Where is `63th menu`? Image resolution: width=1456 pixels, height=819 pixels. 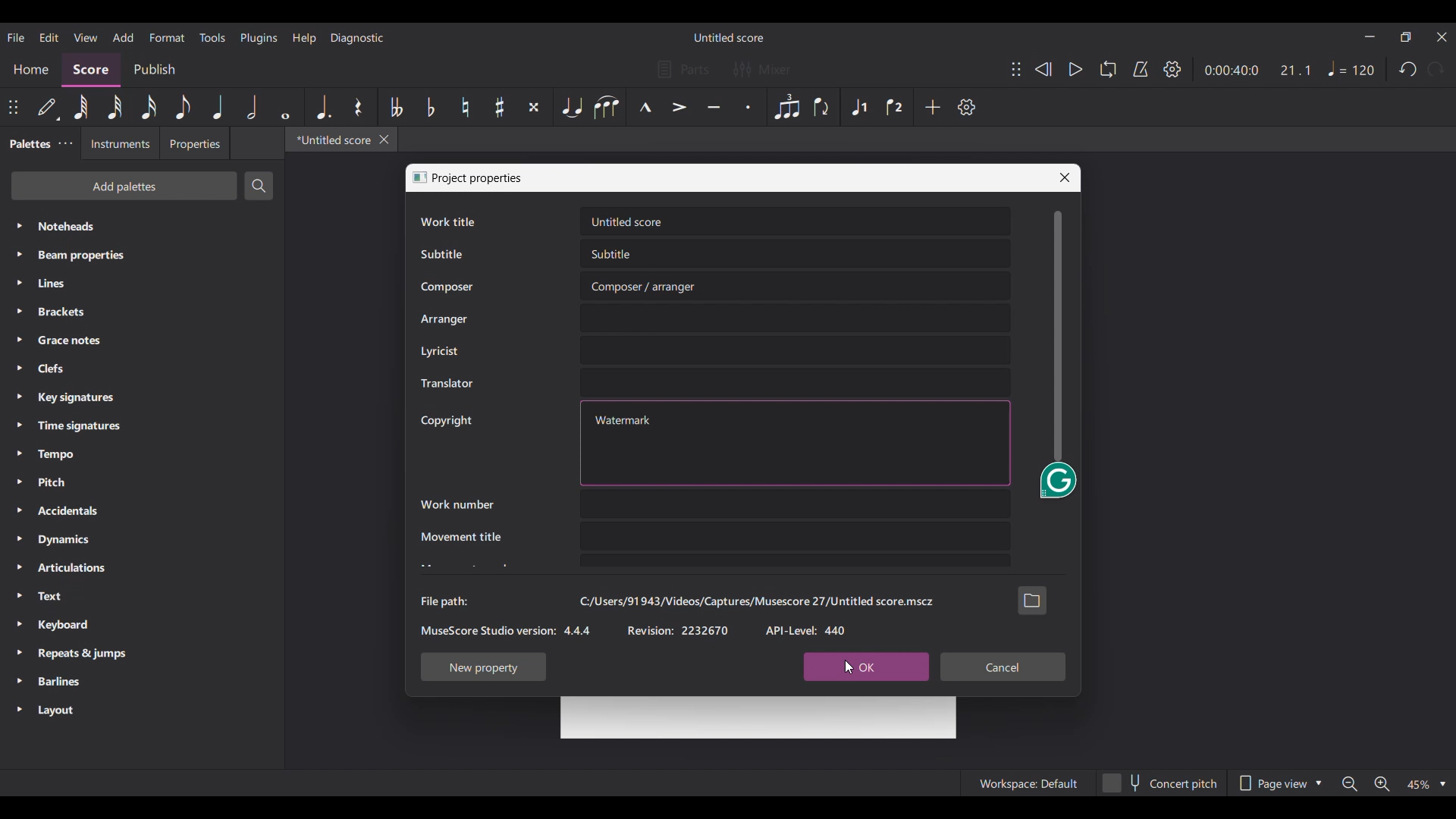
63th menu is located at coordinates (81, 107).